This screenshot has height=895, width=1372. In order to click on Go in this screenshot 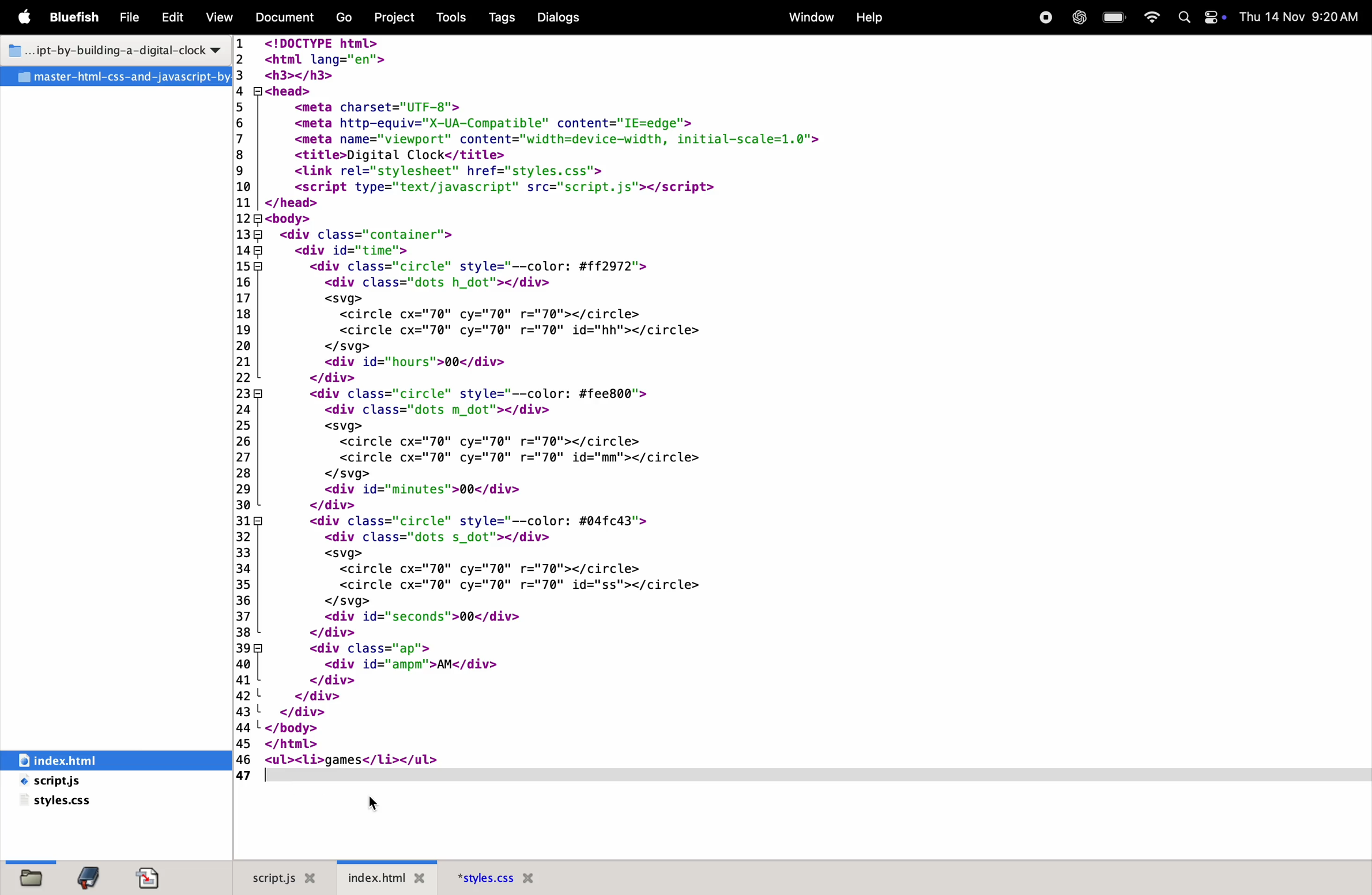, I will do `click(346, 18)`.